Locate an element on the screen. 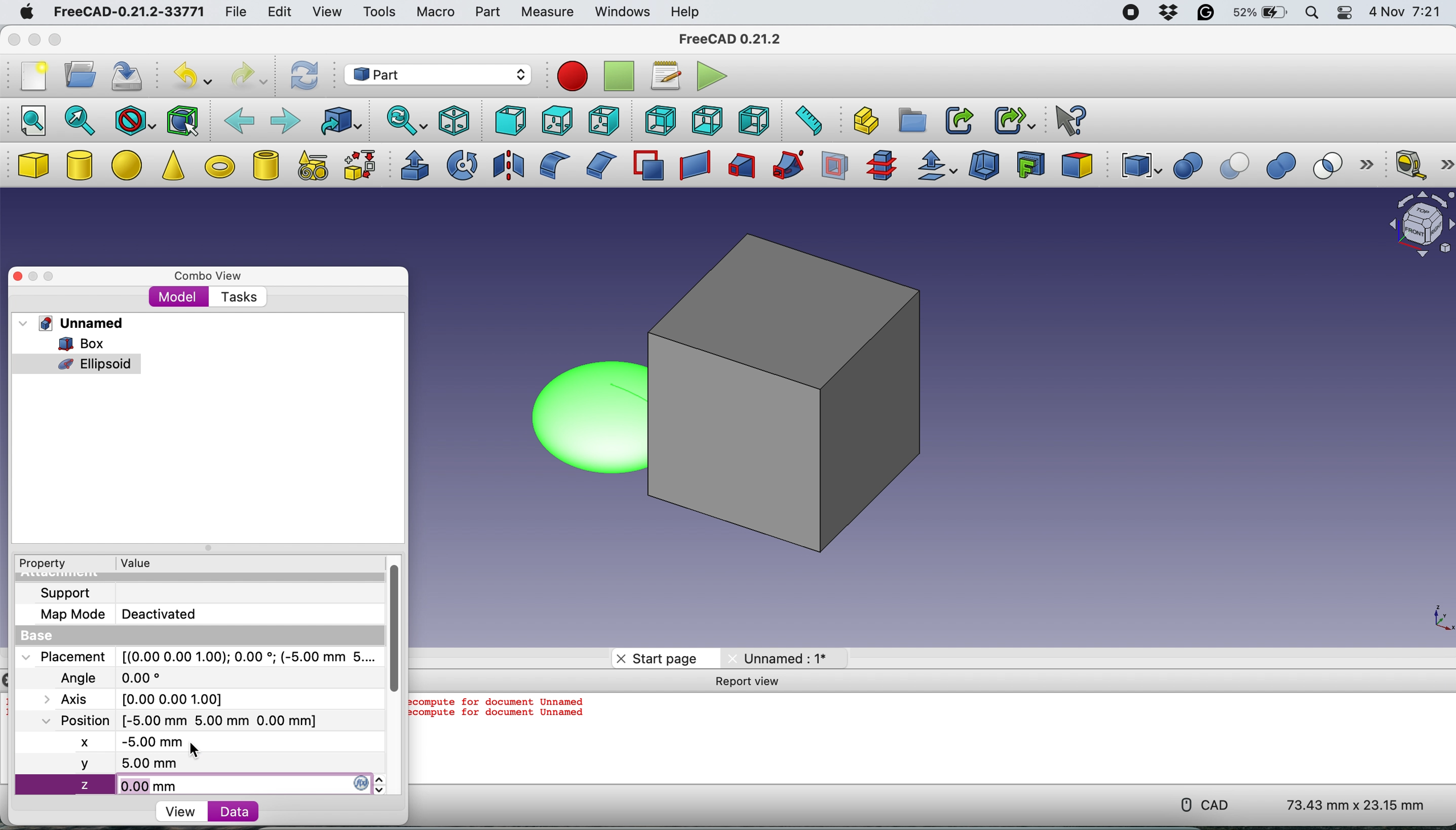 The height and width of the screenshot is (830, 1456). measure is located at coordinates (546, 13).